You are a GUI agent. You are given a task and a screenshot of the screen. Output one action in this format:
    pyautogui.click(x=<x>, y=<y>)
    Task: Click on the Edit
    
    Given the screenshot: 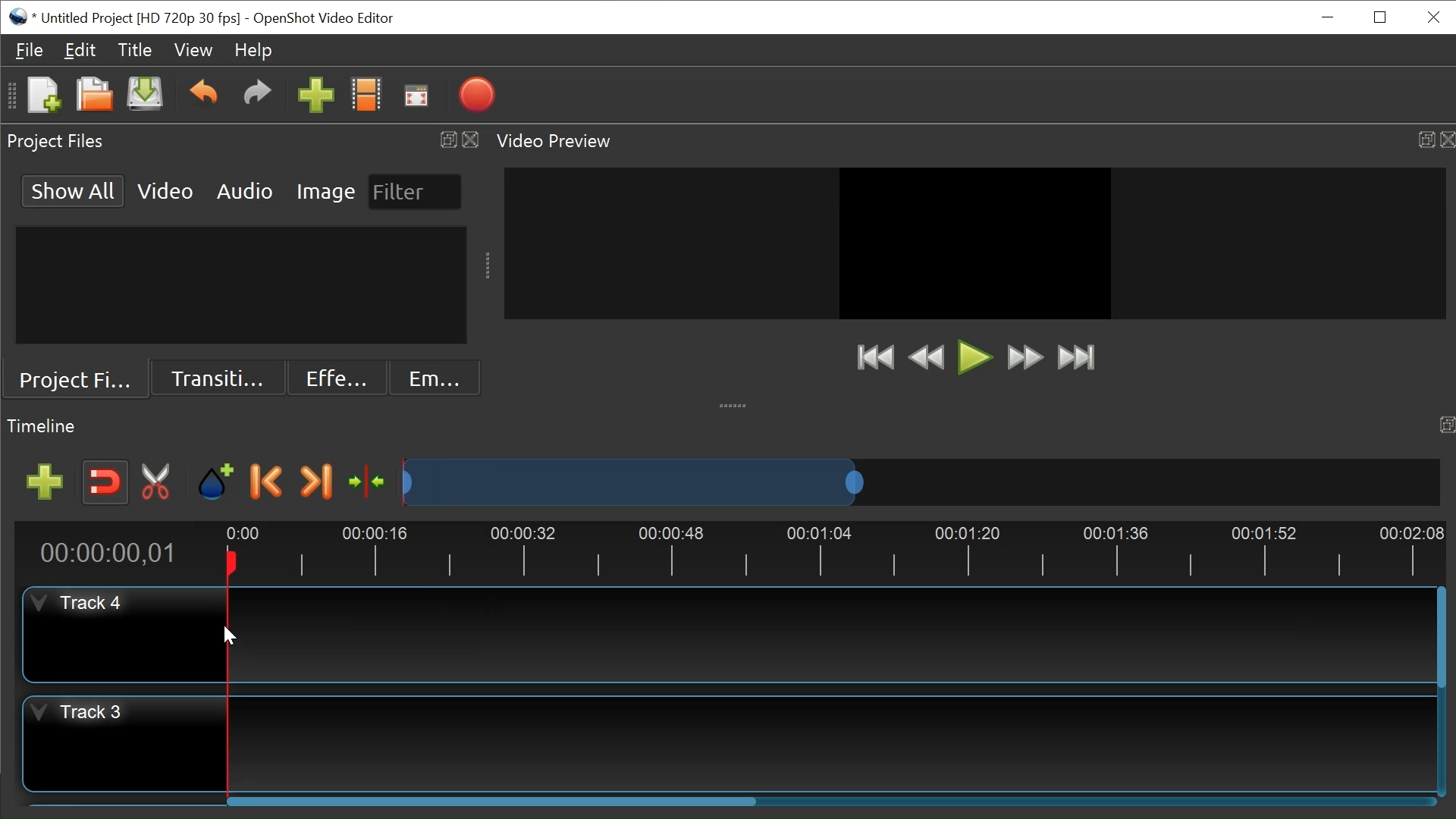 What is the action you would take?
    pyautogui.click(x=80, y=49)
    